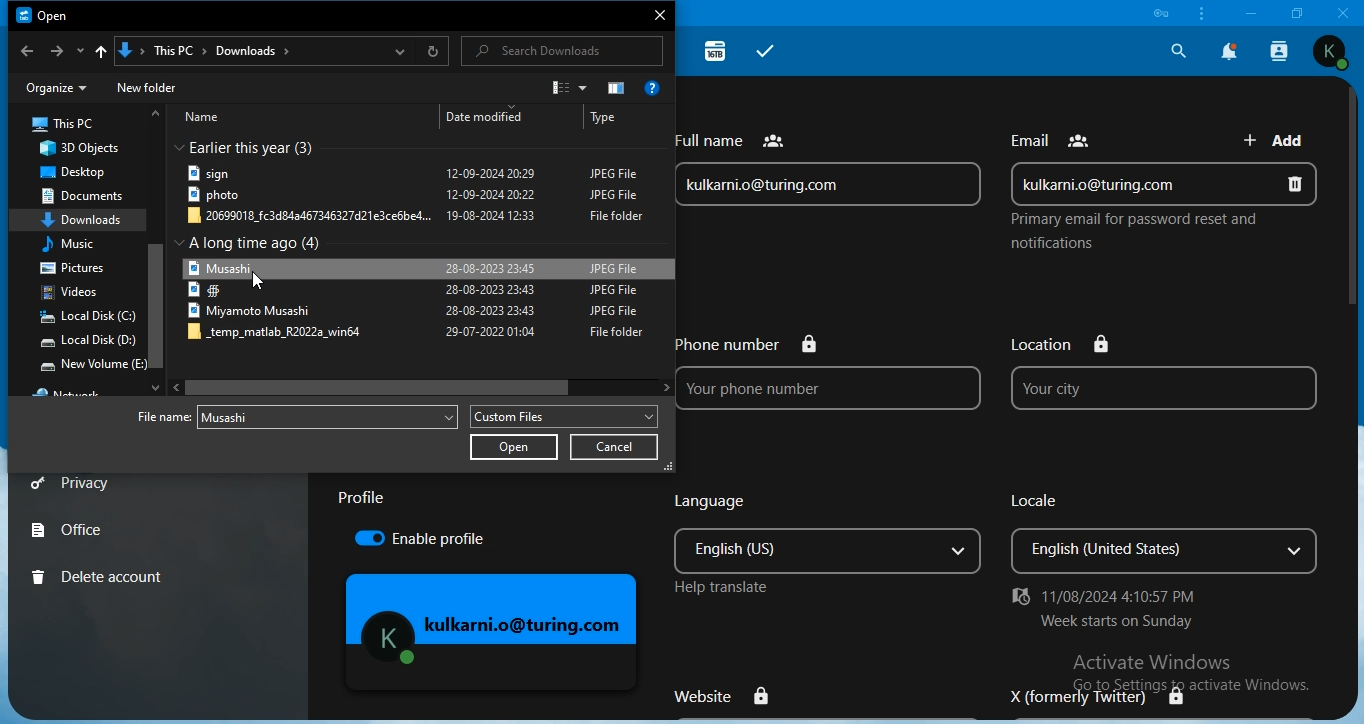 This screenshot has height=724, width=1364. What do you see at coordinates (440, 540) in the screenshot?
I see `enable proflle` at bounding box center [440, 540].